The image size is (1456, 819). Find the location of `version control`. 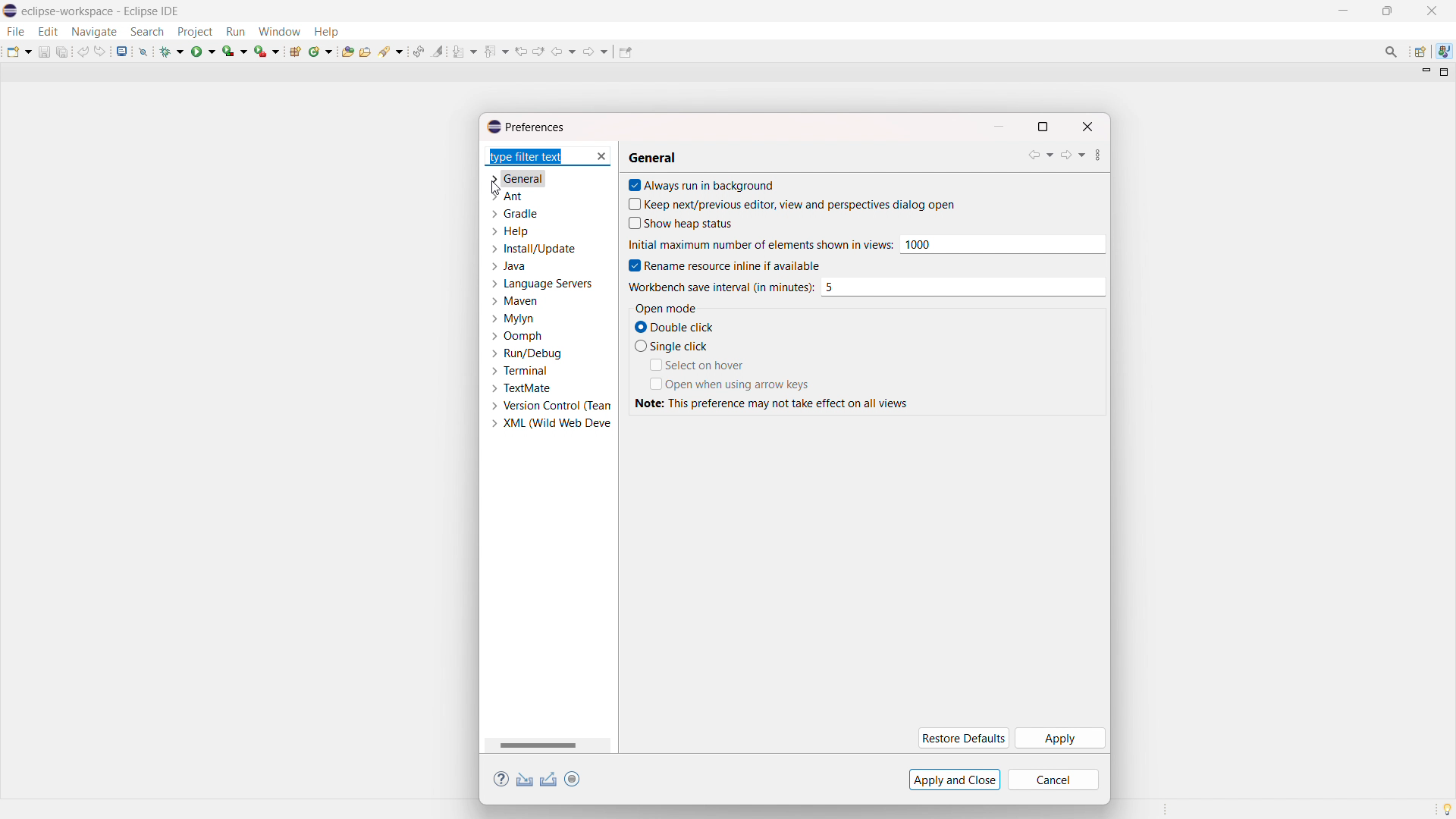

version control is located at coordinates (551, 406).